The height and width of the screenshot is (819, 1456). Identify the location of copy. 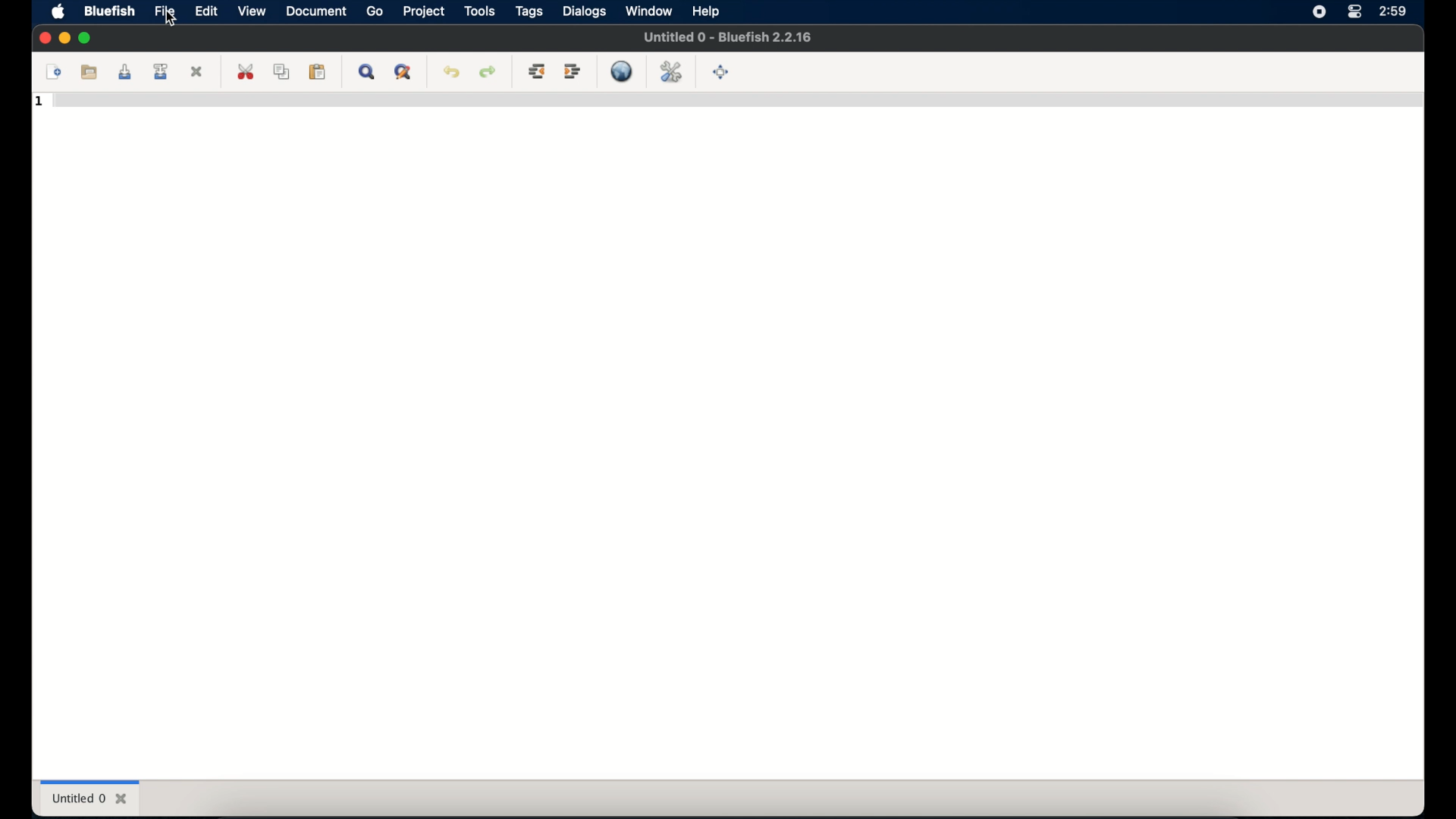
(284, 71).